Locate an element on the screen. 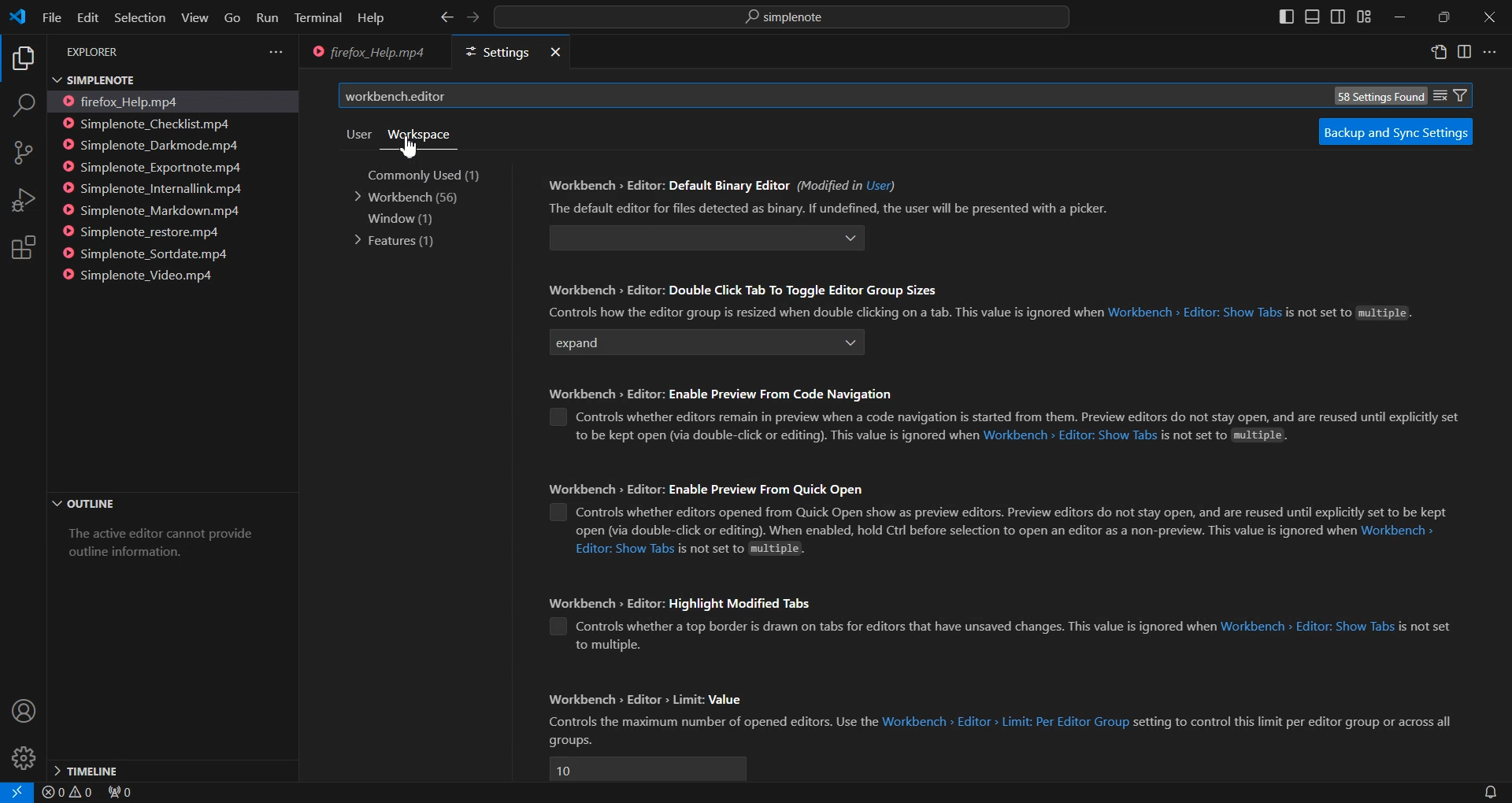  Hyperlink file address is located at coordinates (624, 549).